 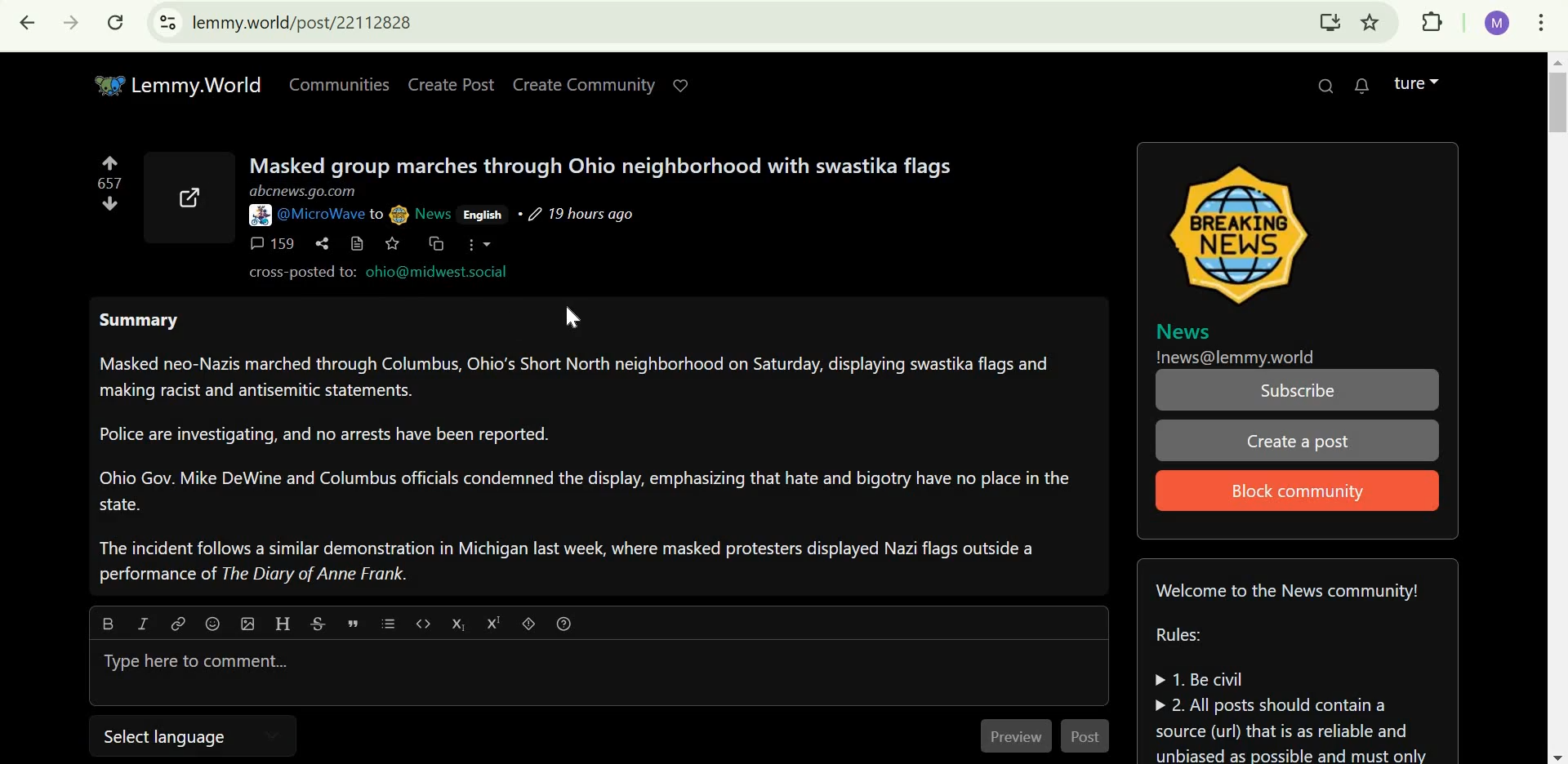 I want to click on Post, so click(x=1091, y=736).